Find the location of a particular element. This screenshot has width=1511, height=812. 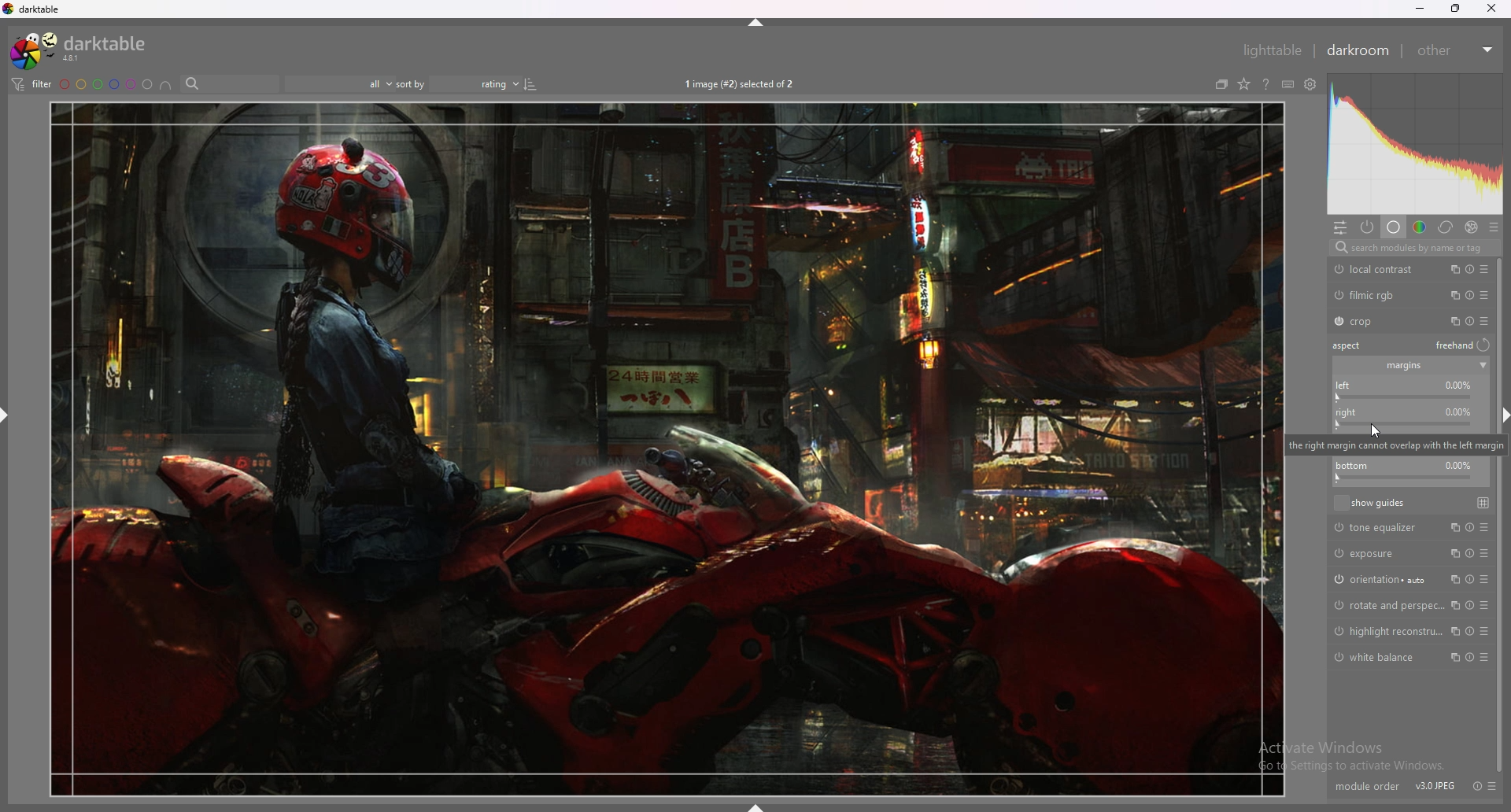

left is located at coordinates (1408, 390).